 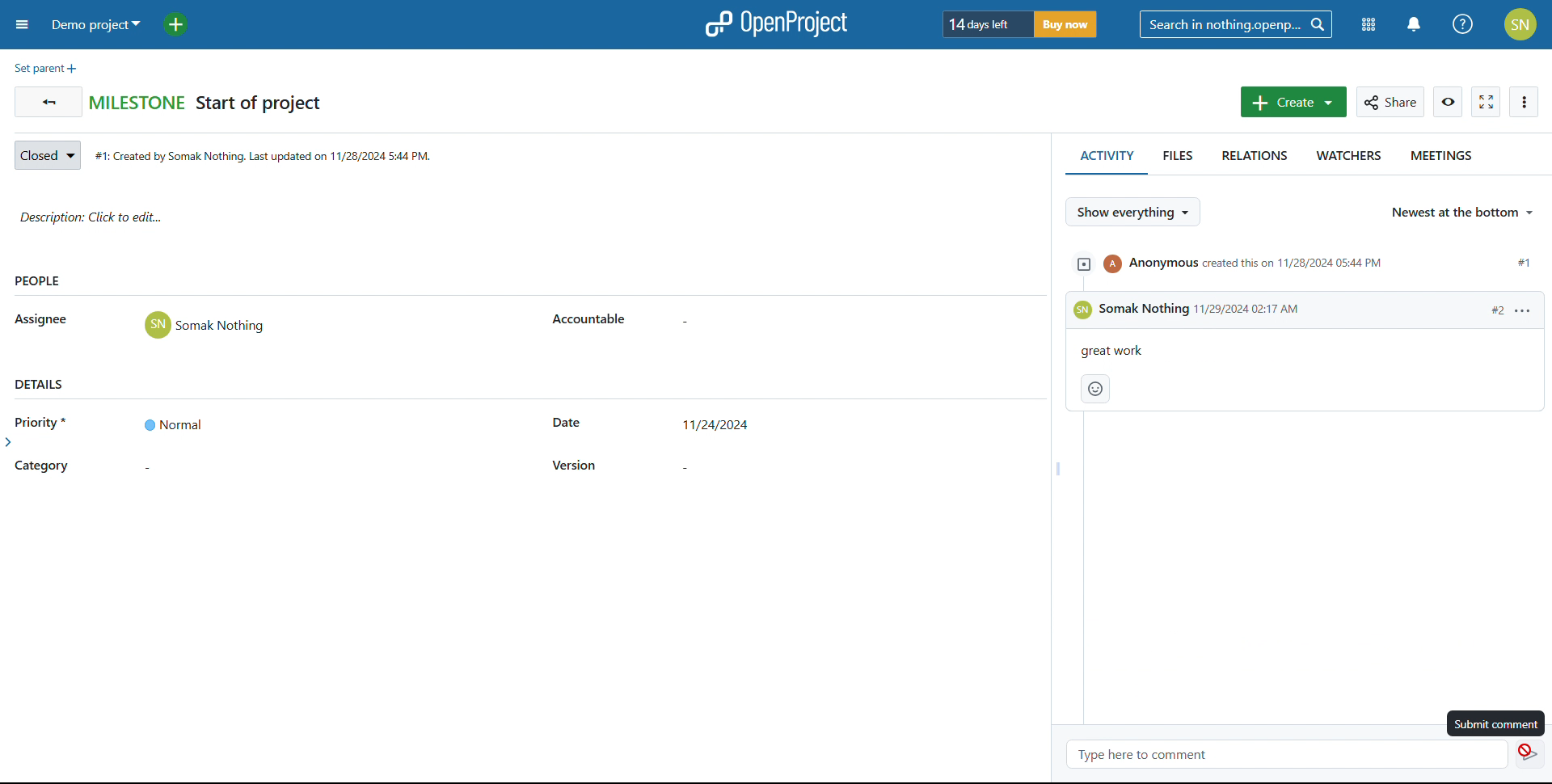 What do you see at coordinates (1444, 159) in the screenshot?
I see `meetings` at bounding box center [1444, 159].